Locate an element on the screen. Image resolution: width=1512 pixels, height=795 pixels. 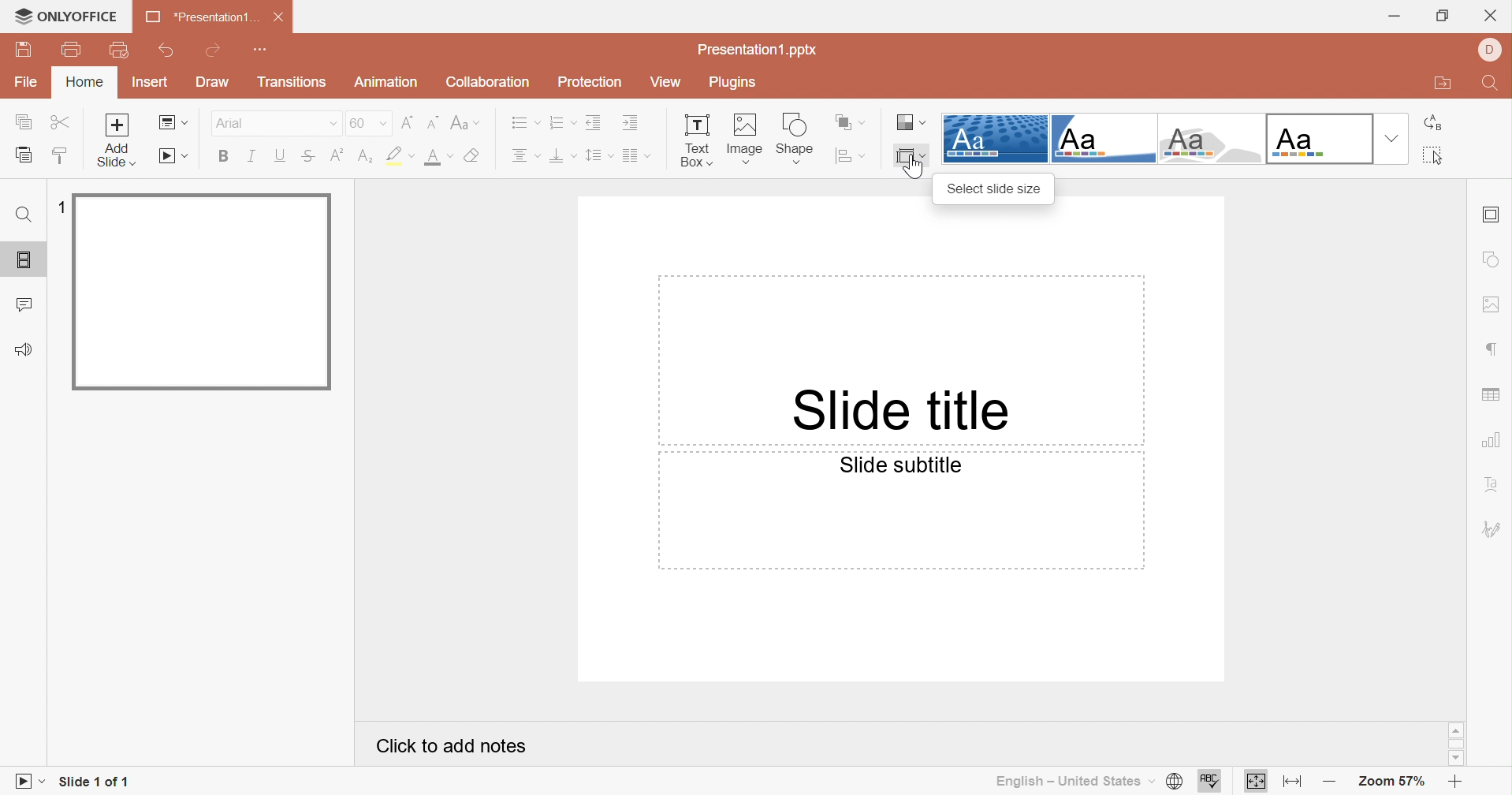
Restore down is located at coordinates (1444, 17).